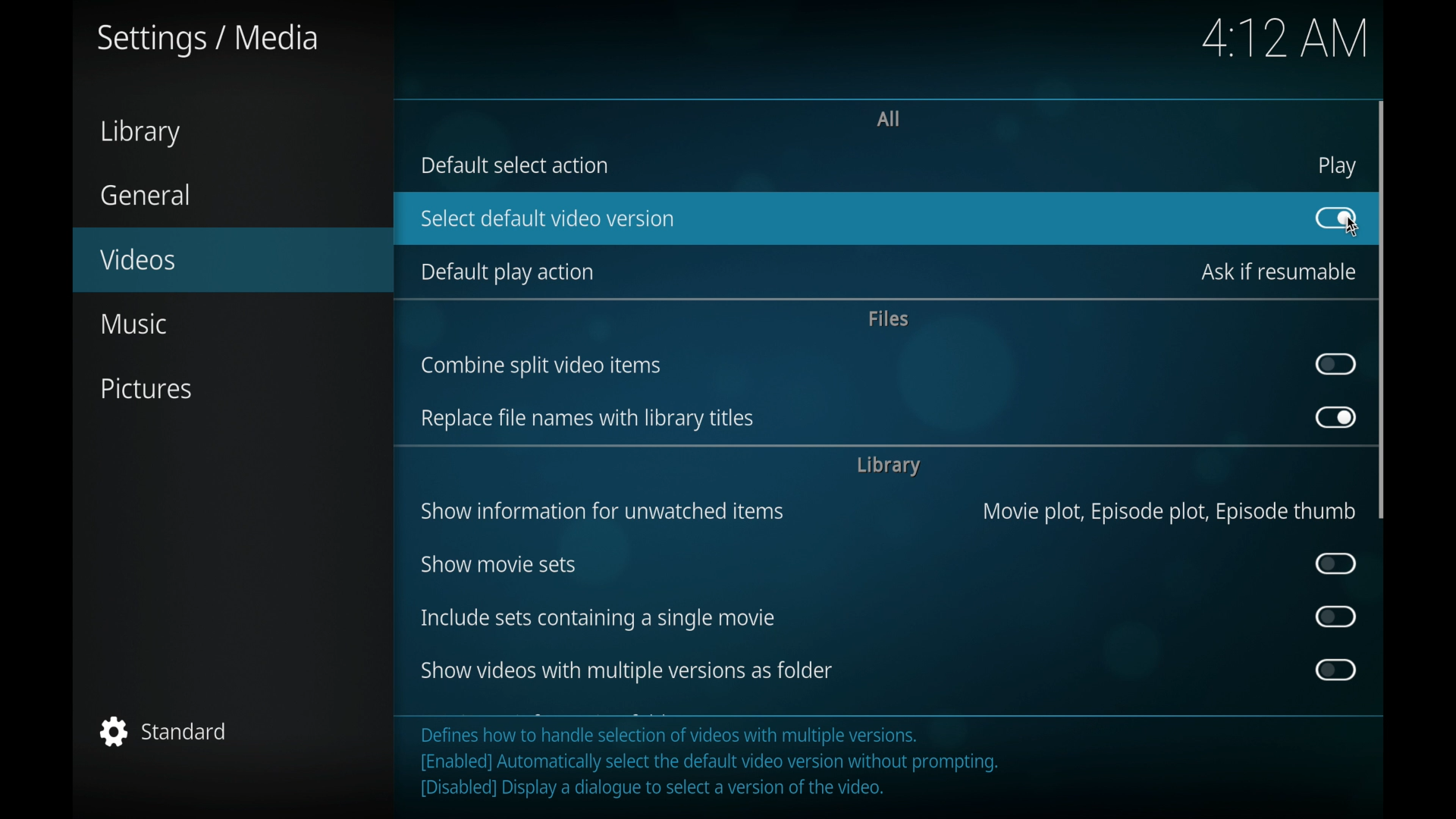 This screenshot has width=1456, height=819. Describe the element at coordinates (149, 195) in the screenshot. I see `general` at that location.